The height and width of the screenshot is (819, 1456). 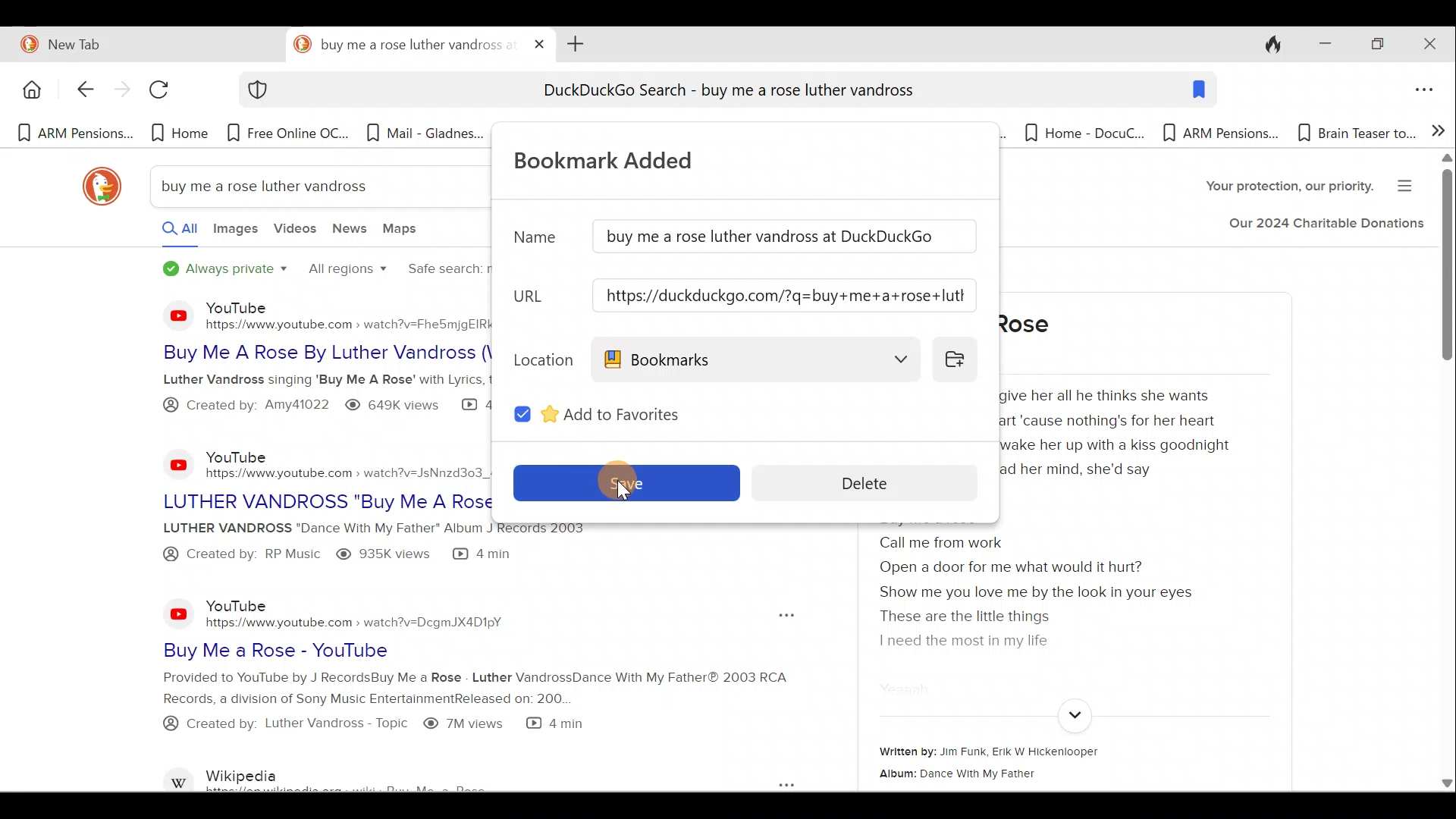 I want to click on Forward, so click(x=120, y=92).